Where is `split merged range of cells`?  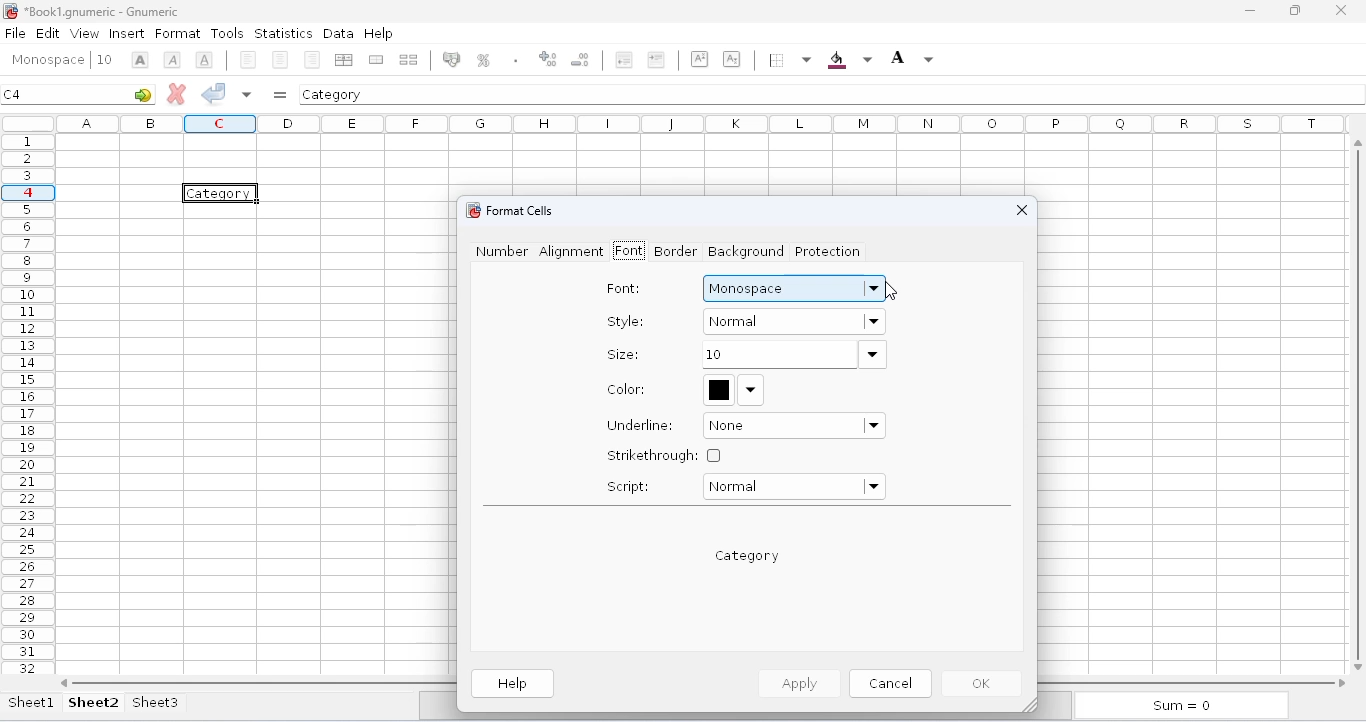 split merged range of cells is located at coordinates (409, 59).